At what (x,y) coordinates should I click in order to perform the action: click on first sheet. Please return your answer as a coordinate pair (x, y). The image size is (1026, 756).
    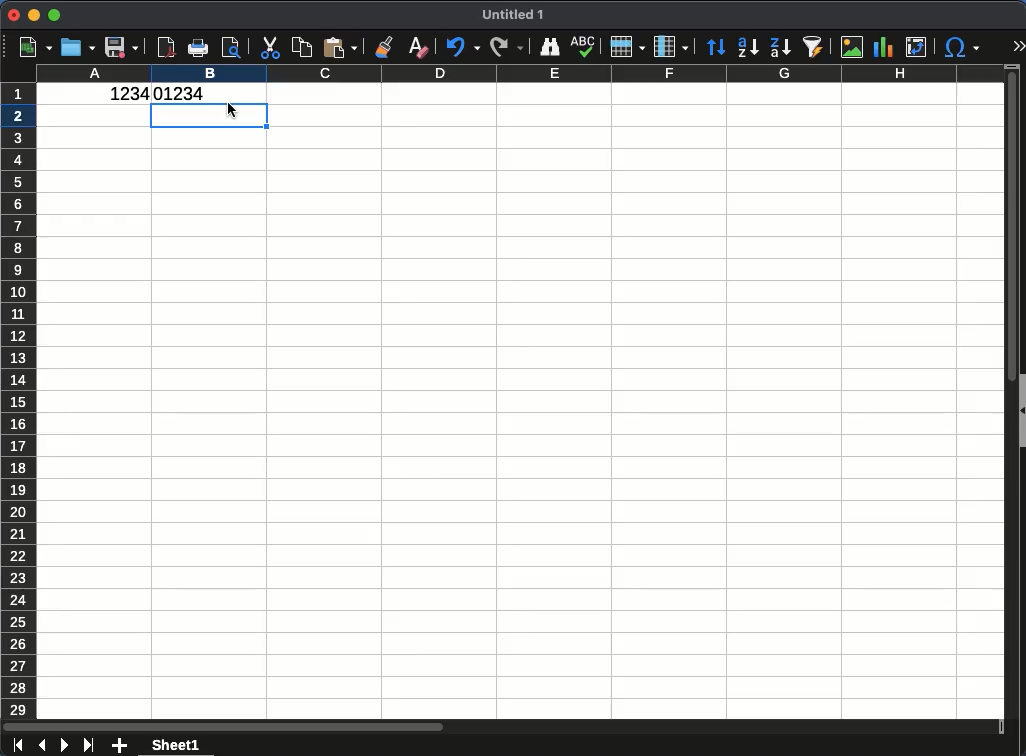
    Looking at the image, I should click on (18, 745).